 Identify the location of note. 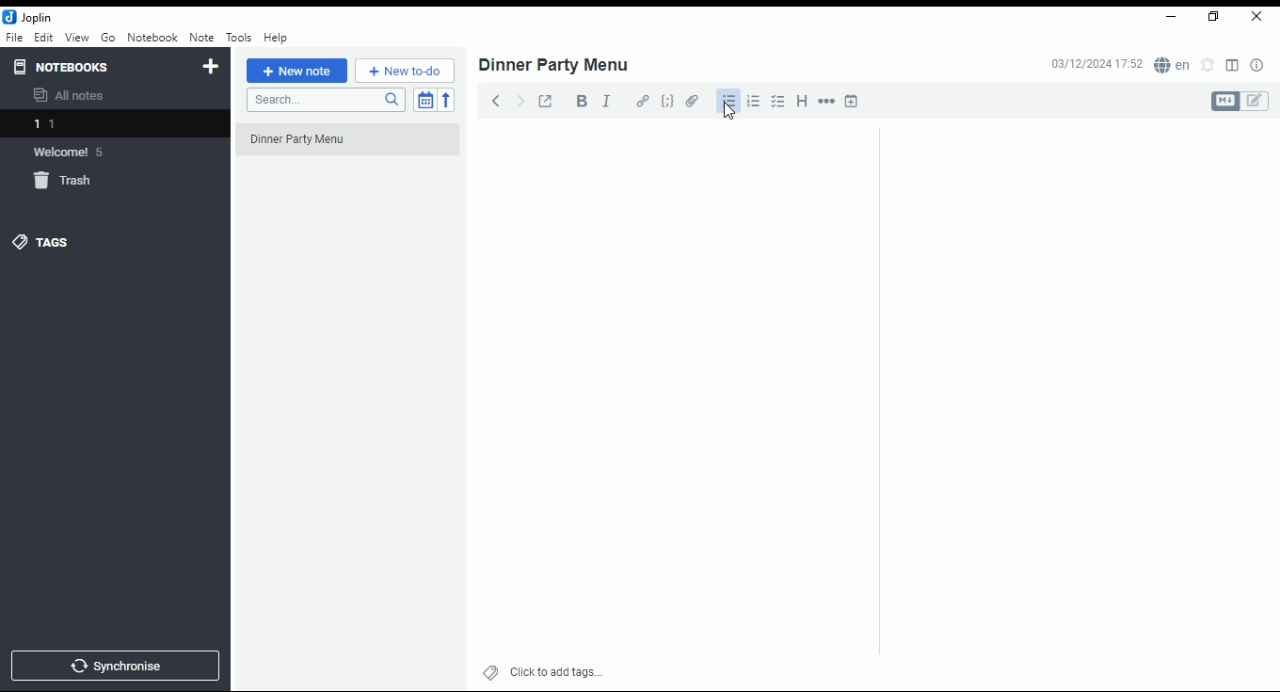
(200, 38).